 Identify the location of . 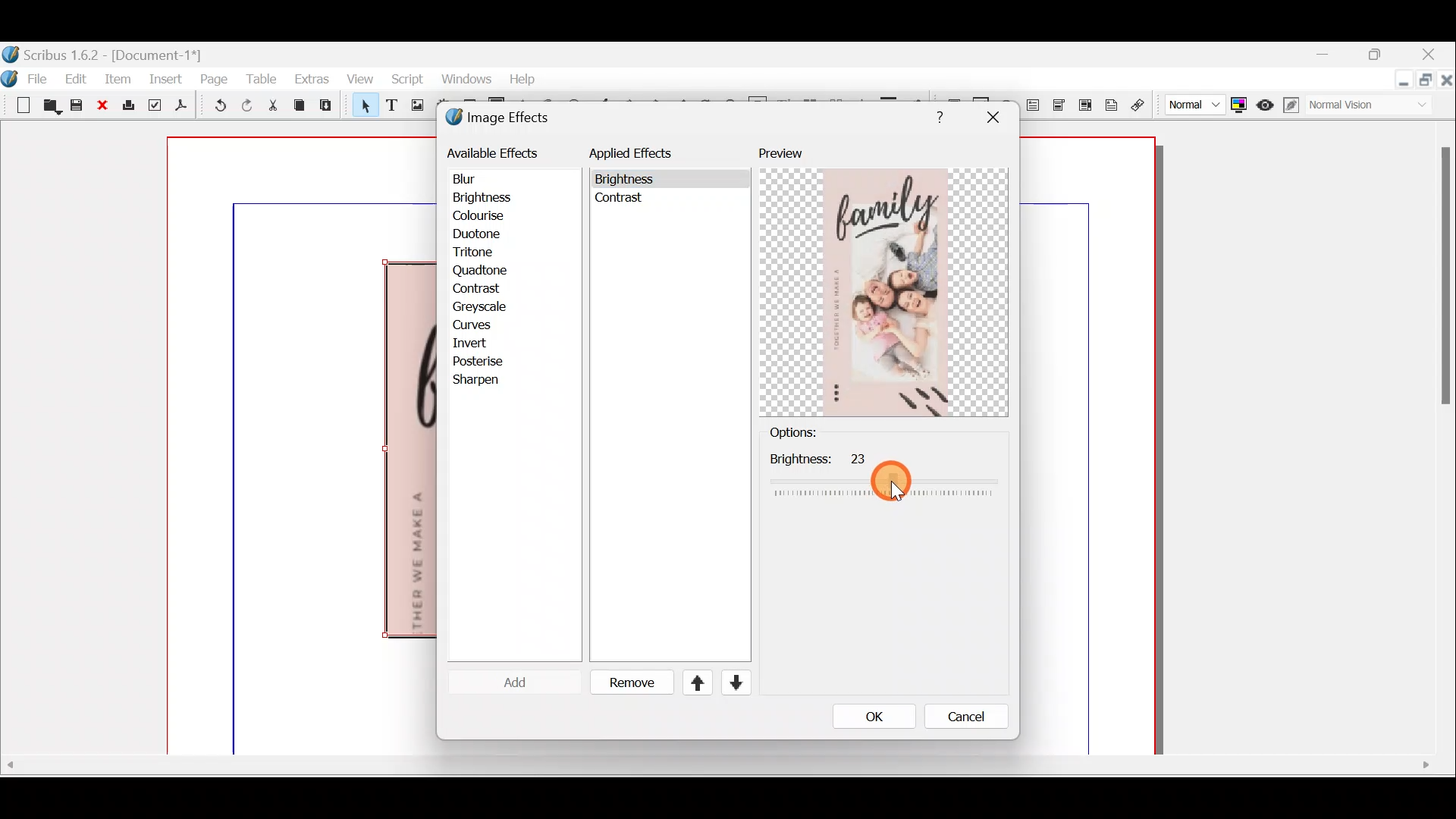
(1442, 283).